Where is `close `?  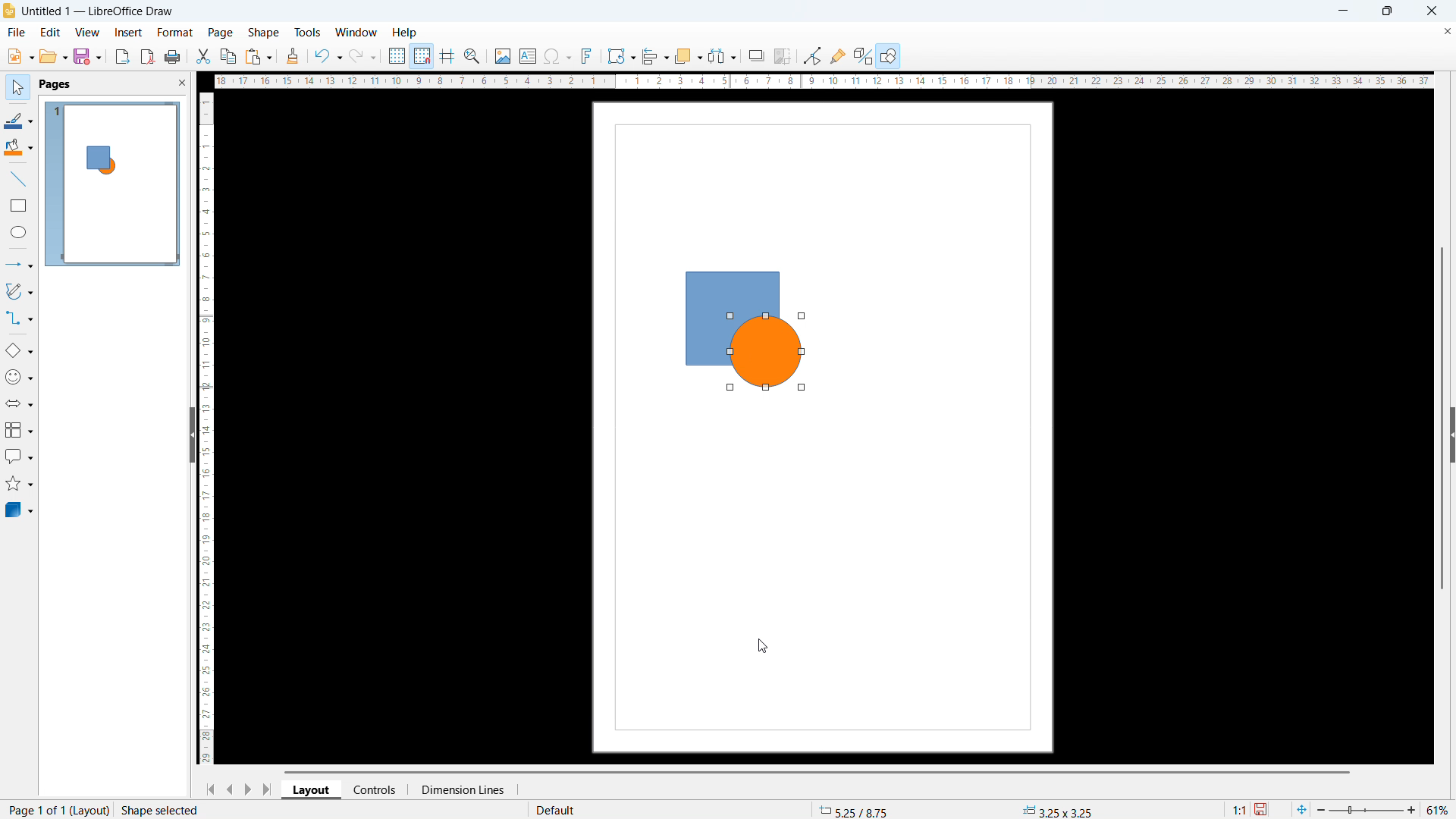
close  is located at coordinates (1431, 11).